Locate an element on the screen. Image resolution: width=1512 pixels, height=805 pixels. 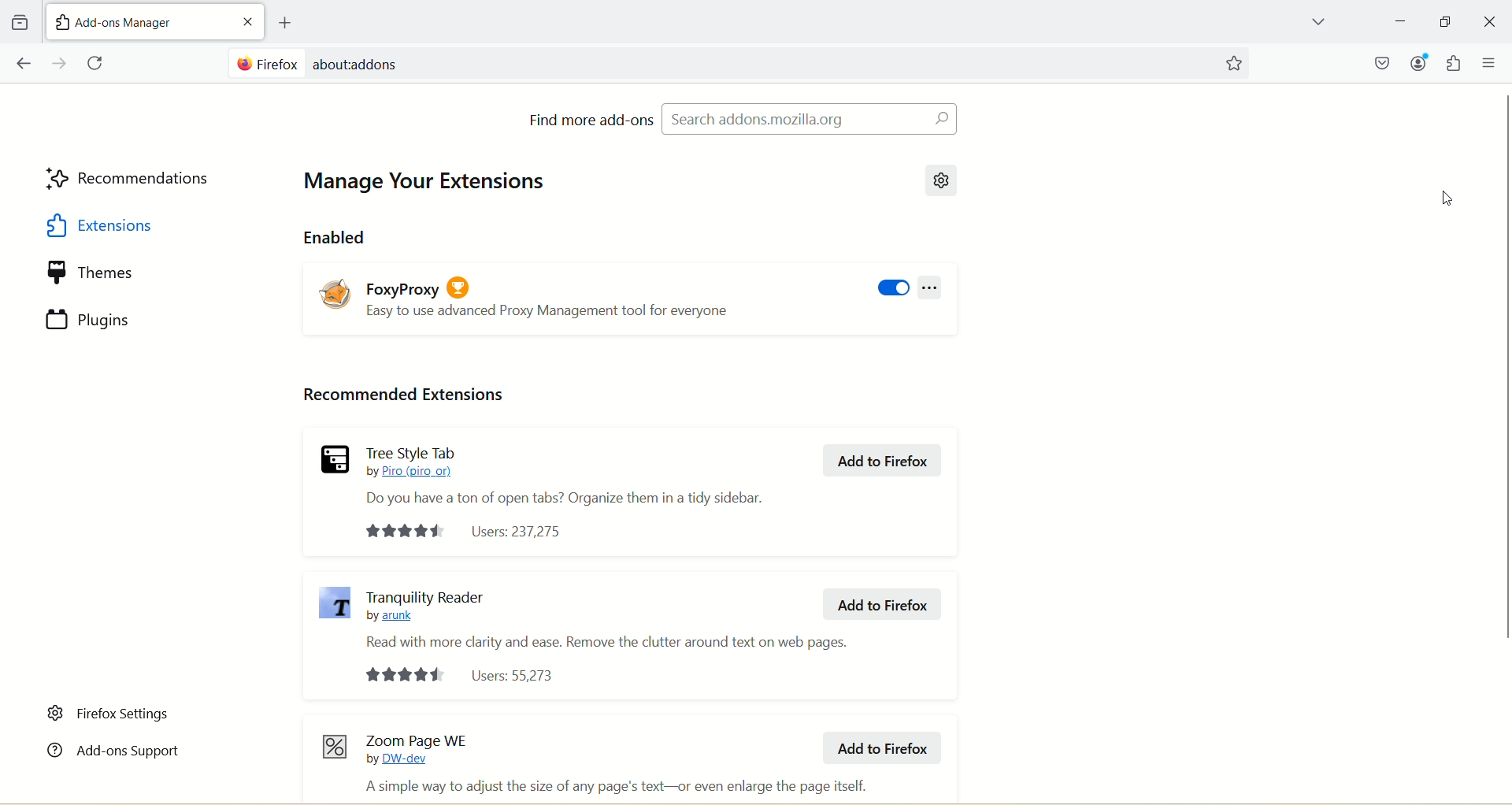
cursor is located at coordinates (1450, 196).